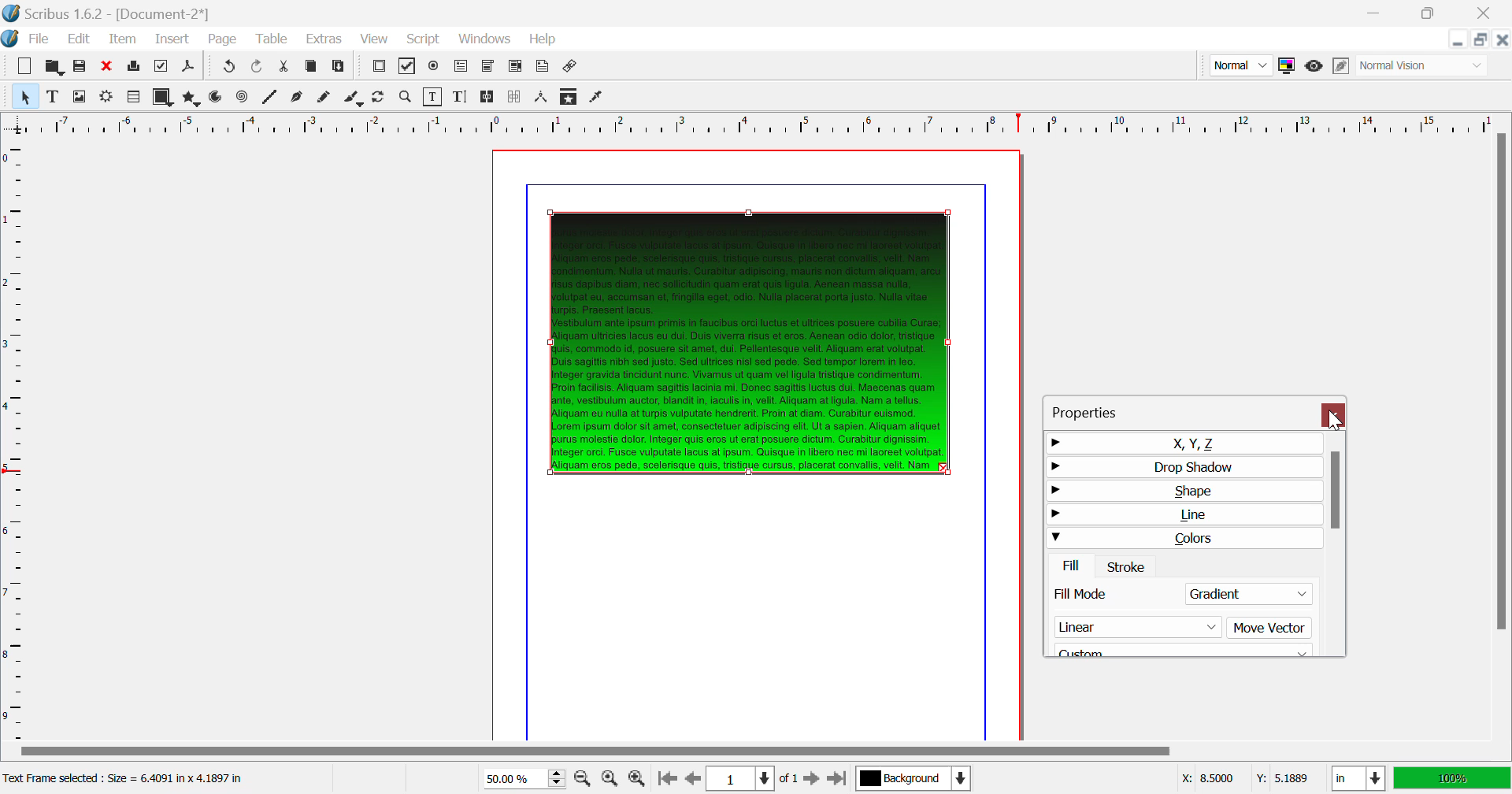 This screenshot has height=794, width=1512. What do you see at coordinates (1186, 553) in the screenshot?
I see `Colors Tab Open` at bounding box center [1186, 553].